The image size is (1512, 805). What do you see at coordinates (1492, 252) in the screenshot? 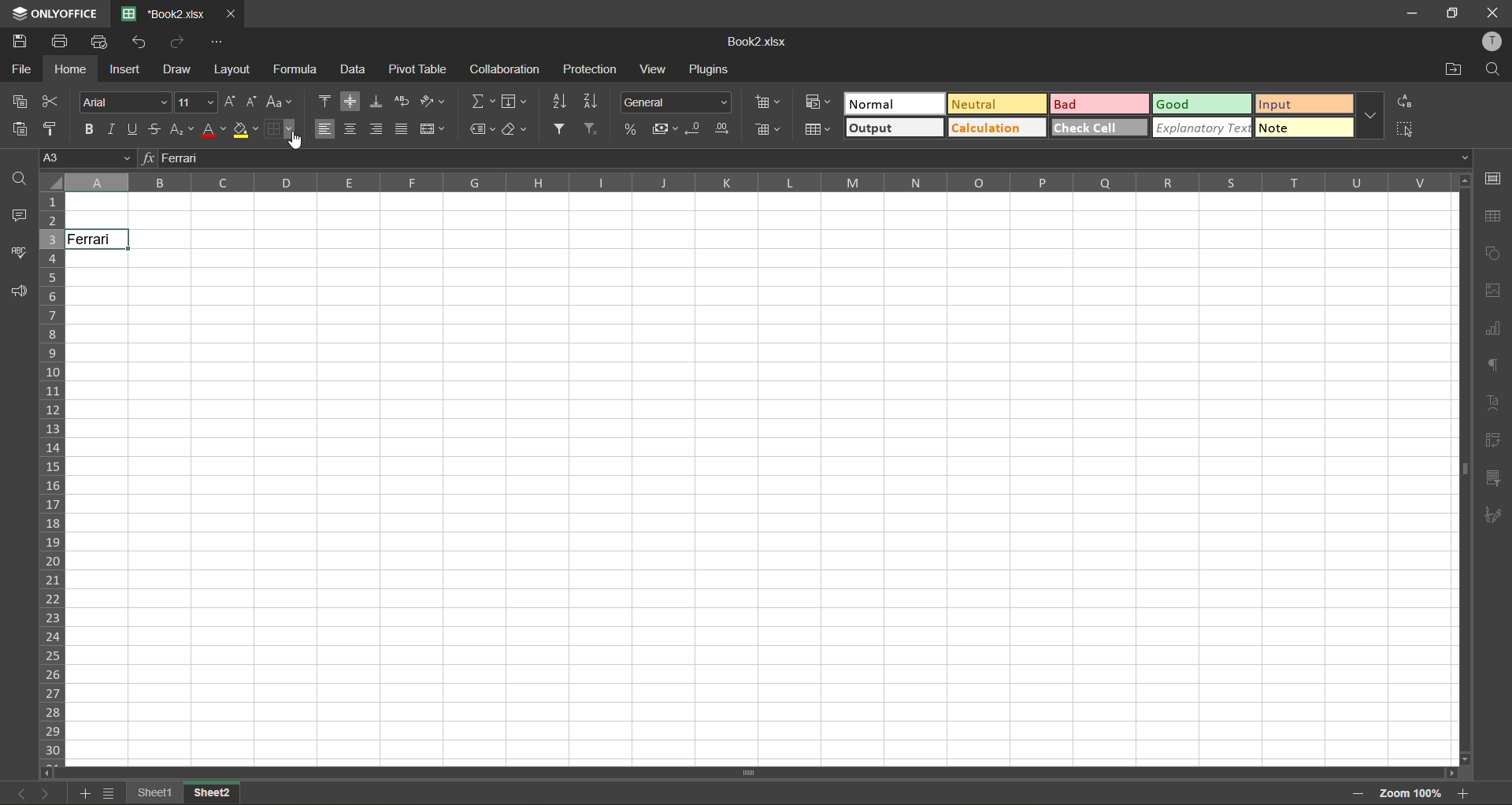
I see `shapes` at bounding box center [1492, 252].